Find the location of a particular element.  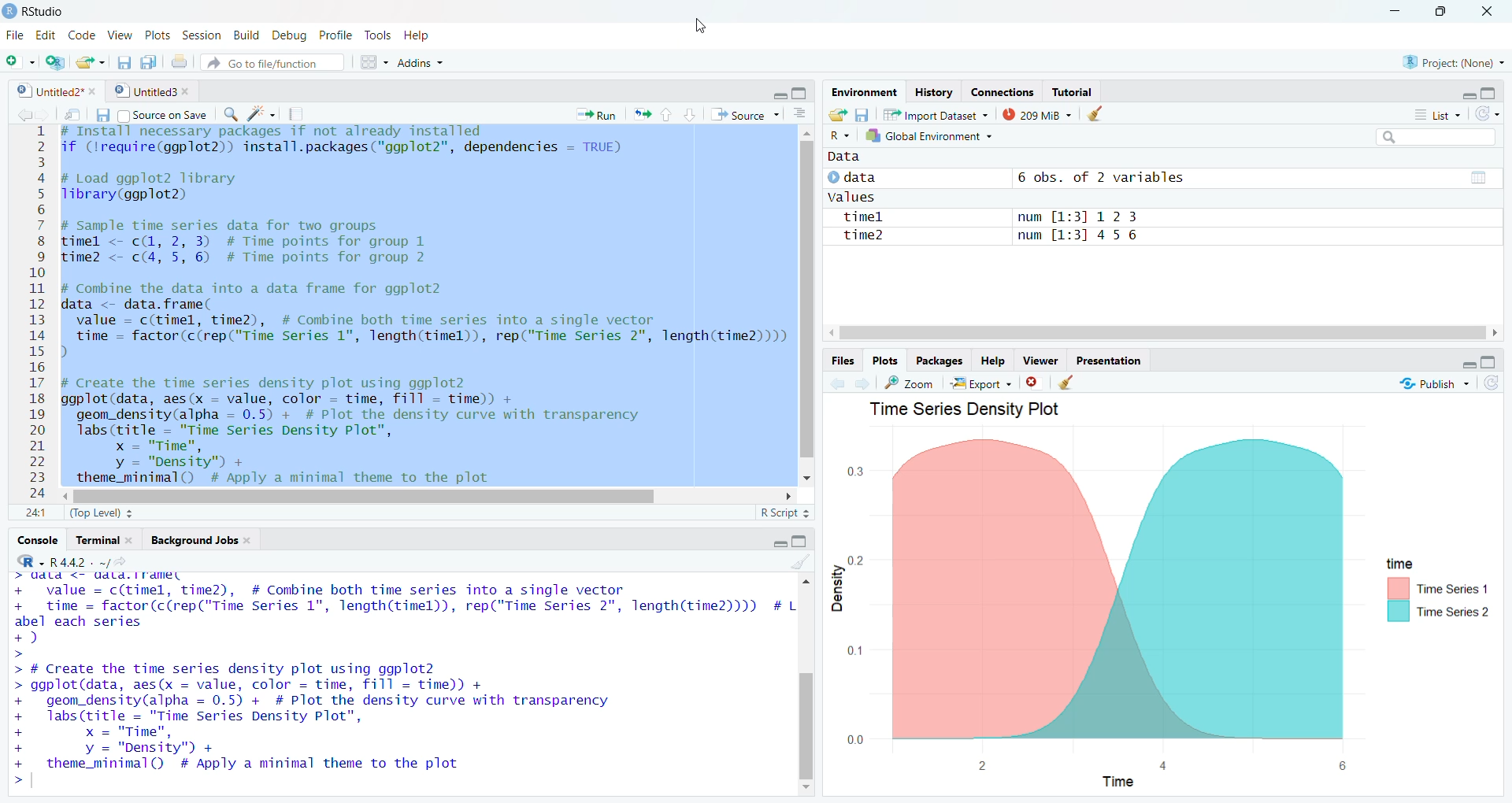

Save is located at coordinates (861, 115).